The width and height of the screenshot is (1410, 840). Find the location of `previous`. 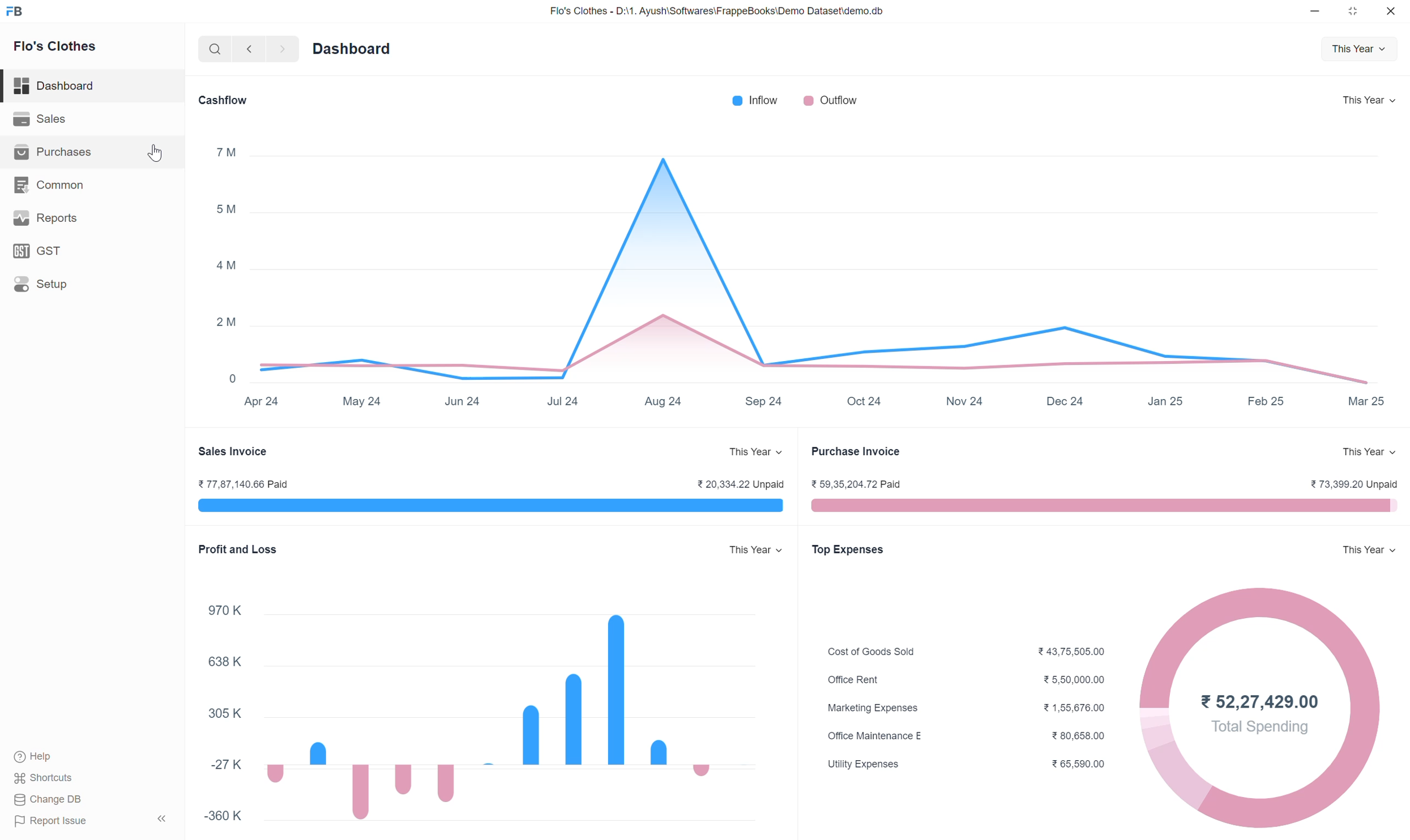

previous is located at coordinates (280, 48).